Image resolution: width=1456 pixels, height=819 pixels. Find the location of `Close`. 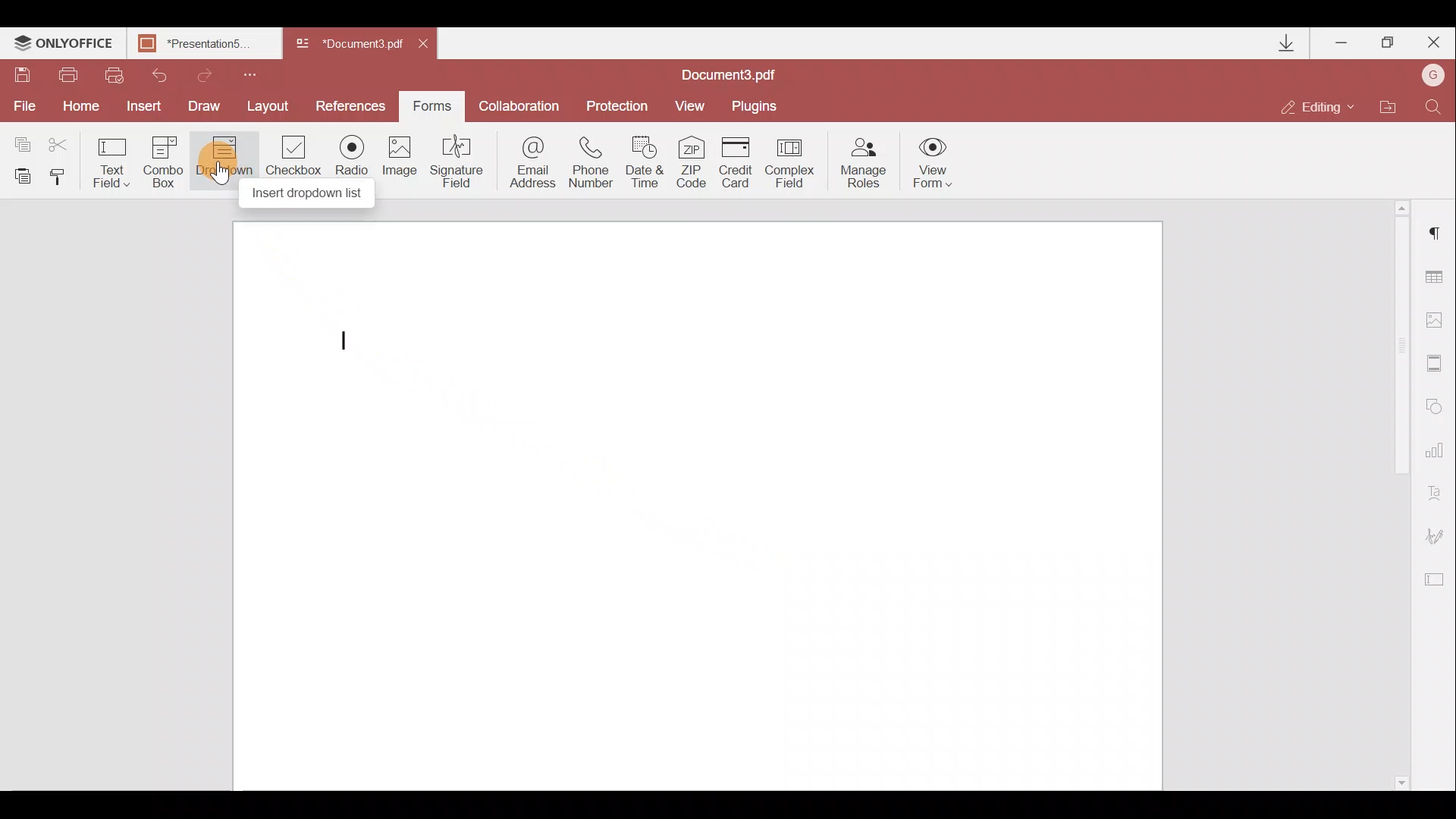

Close is located at coordinates (1432, 43).